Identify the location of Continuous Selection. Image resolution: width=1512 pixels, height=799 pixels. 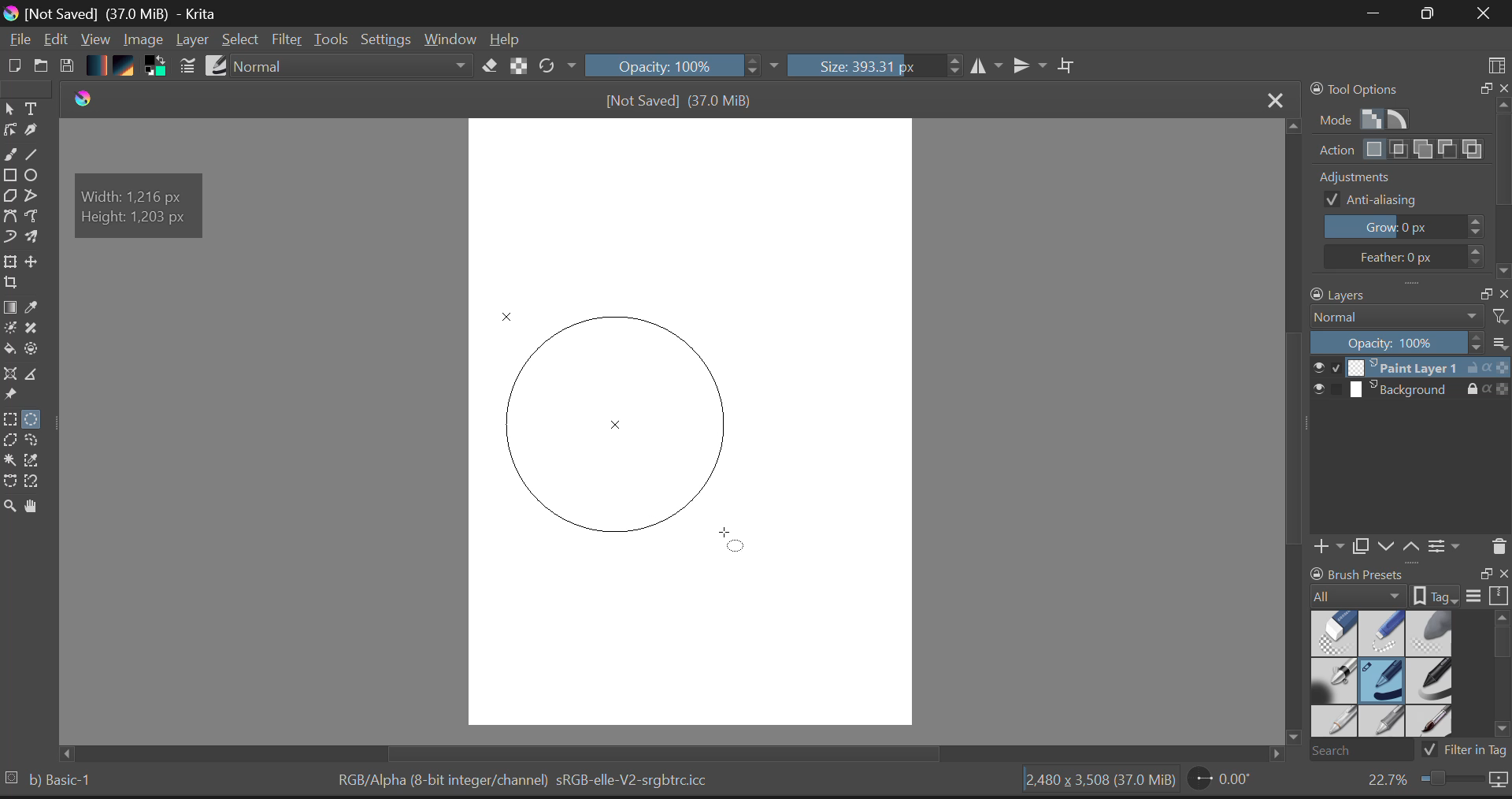
(13, 461).